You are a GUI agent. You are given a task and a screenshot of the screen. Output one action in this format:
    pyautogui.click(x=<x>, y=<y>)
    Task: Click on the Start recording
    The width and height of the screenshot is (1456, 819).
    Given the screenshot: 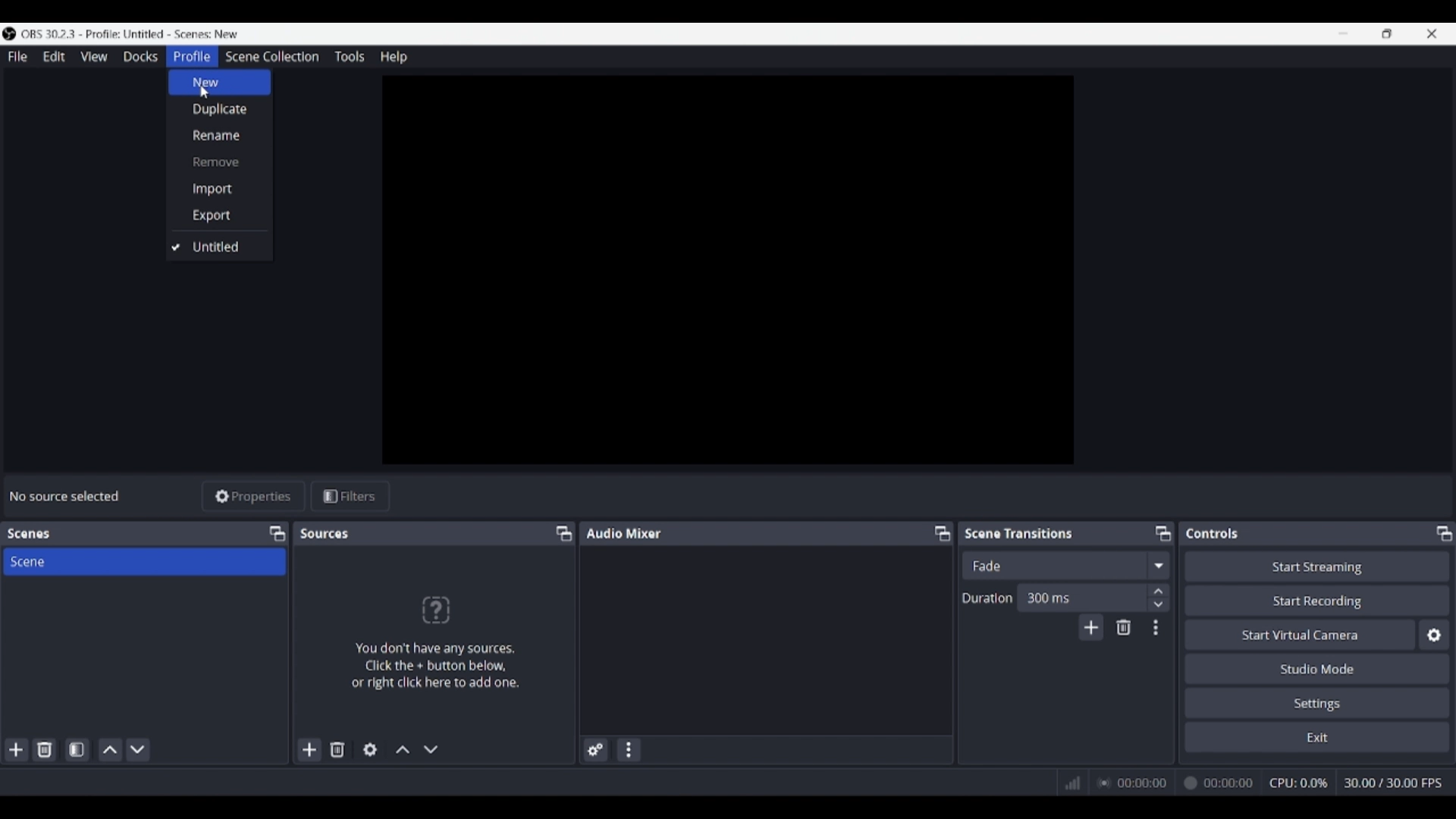 What is the action you would take?
    pyautogui.click(x=1318, y=600)
    